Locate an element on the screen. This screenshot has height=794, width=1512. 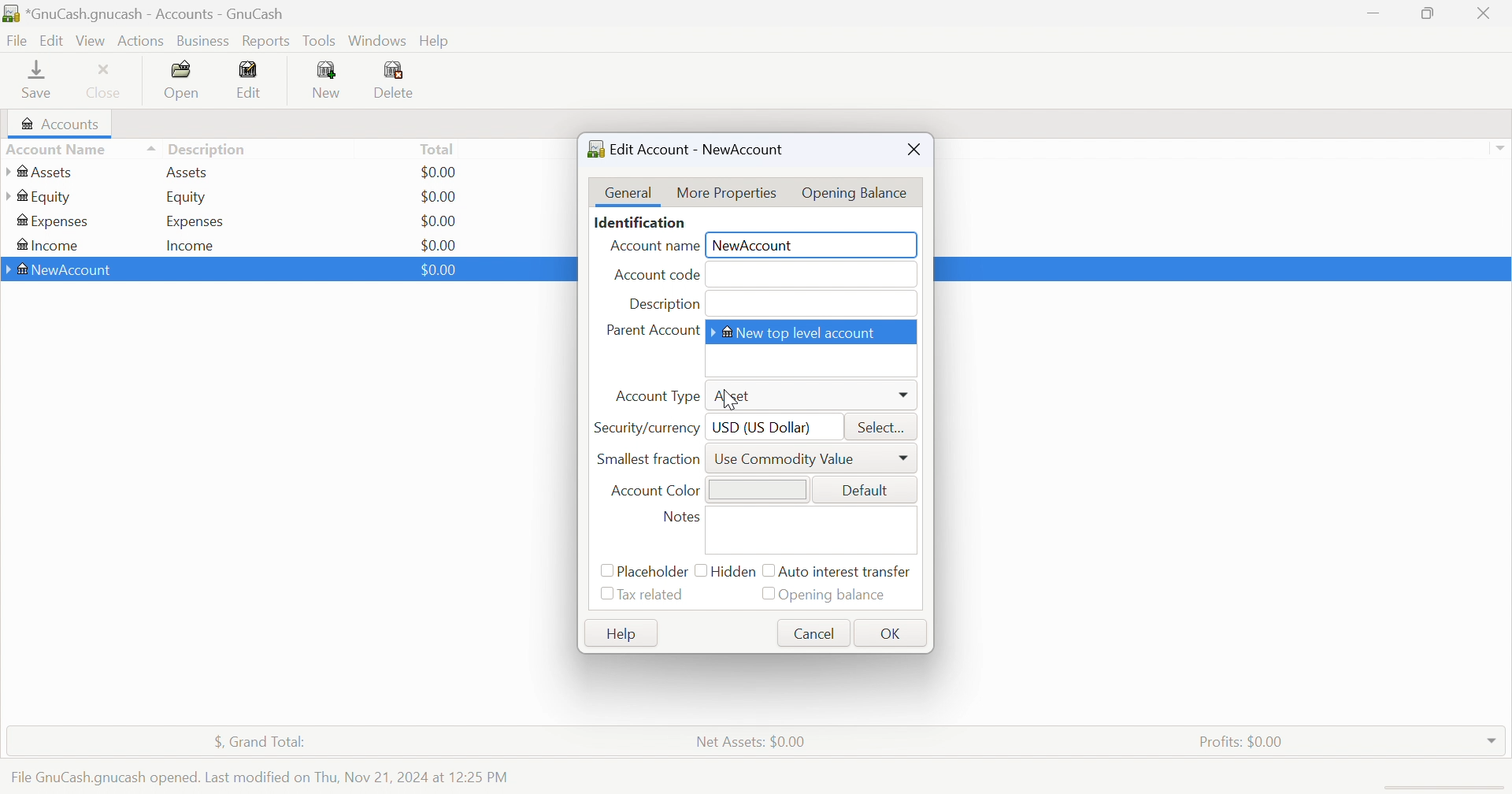
Open is located at coordinates (183, 80).